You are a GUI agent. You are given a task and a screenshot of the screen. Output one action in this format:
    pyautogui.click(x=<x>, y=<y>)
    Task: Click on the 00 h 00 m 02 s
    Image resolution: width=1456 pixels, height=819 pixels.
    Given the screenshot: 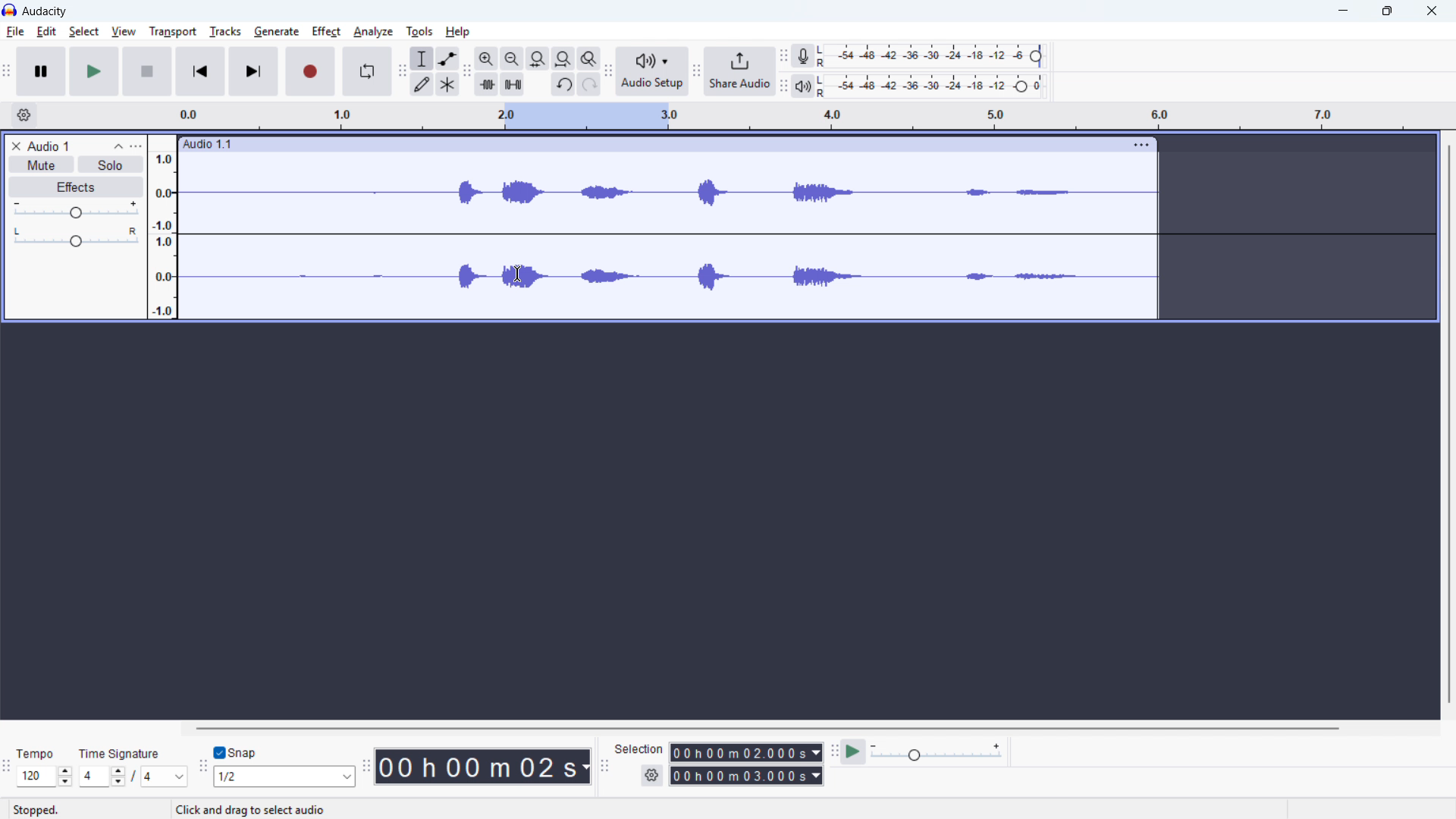 What is the action you would take?
    pyautogui.click(x=485, y=767)
    